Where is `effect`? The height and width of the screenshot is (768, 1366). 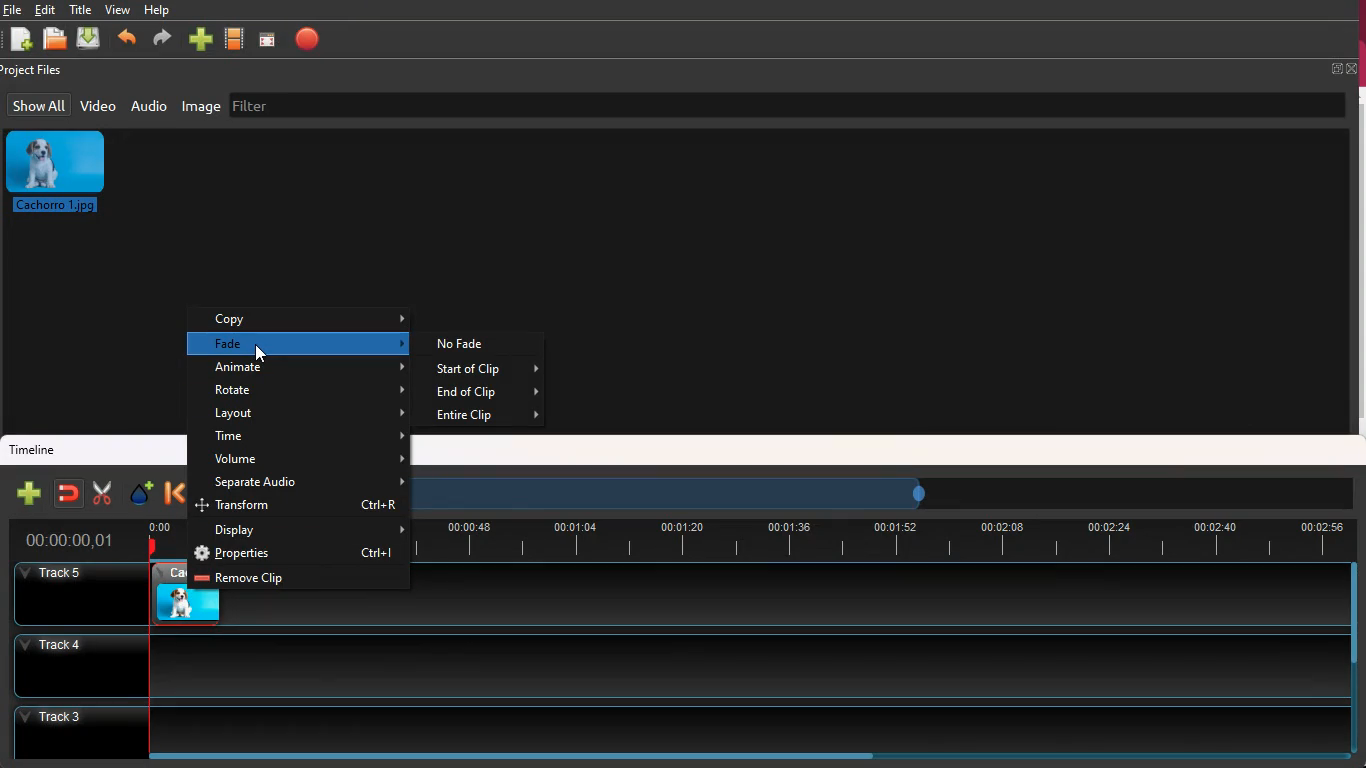 effect is located at coordinates (143, 494).